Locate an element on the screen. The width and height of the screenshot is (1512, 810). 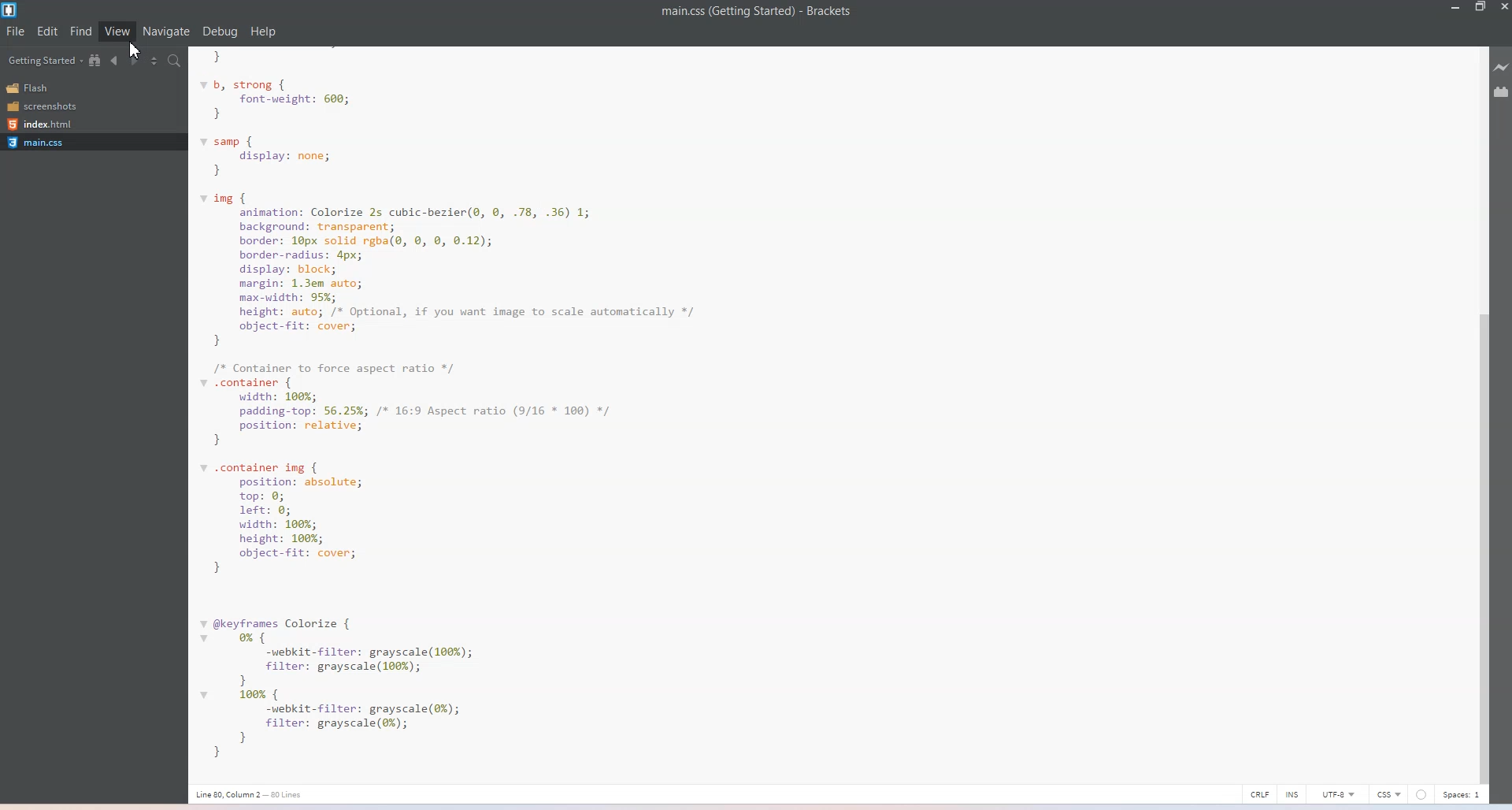
Vertical Scroll bar is located at coordinates (1484, 413).